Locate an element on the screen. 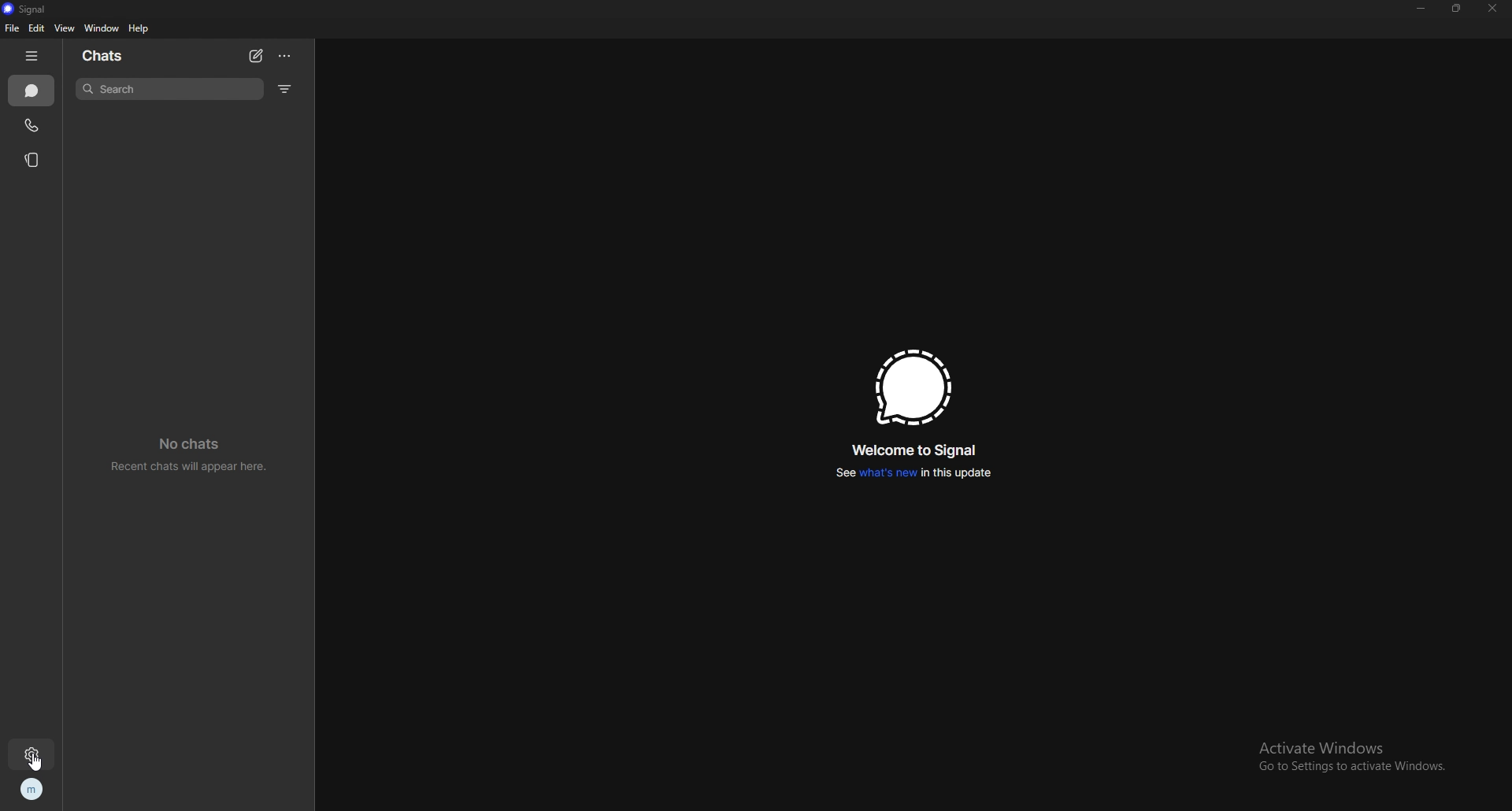  stories is located at coordinates (35, 160).